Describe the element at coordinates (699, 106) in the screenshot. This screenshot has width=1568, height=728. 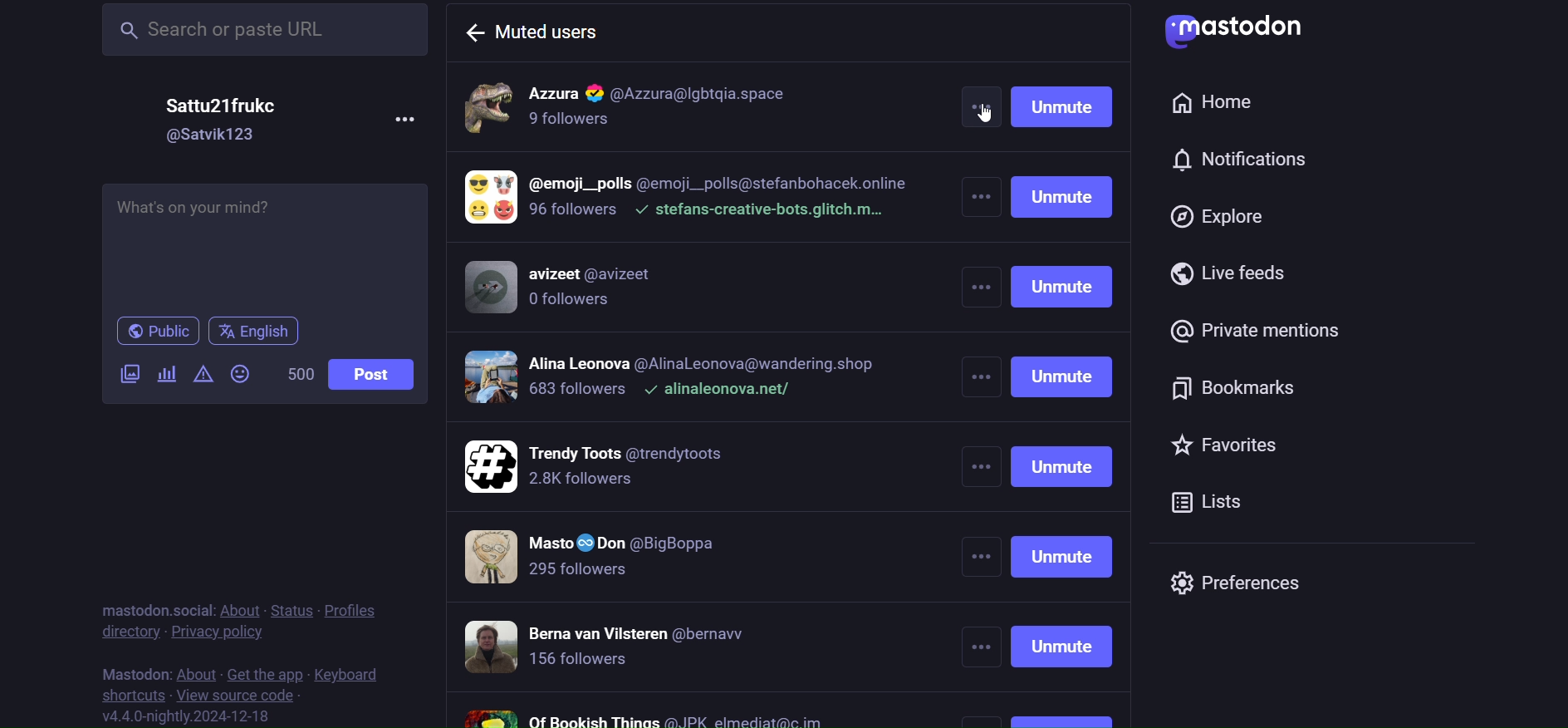
I see `muted accounts 1` at that location.